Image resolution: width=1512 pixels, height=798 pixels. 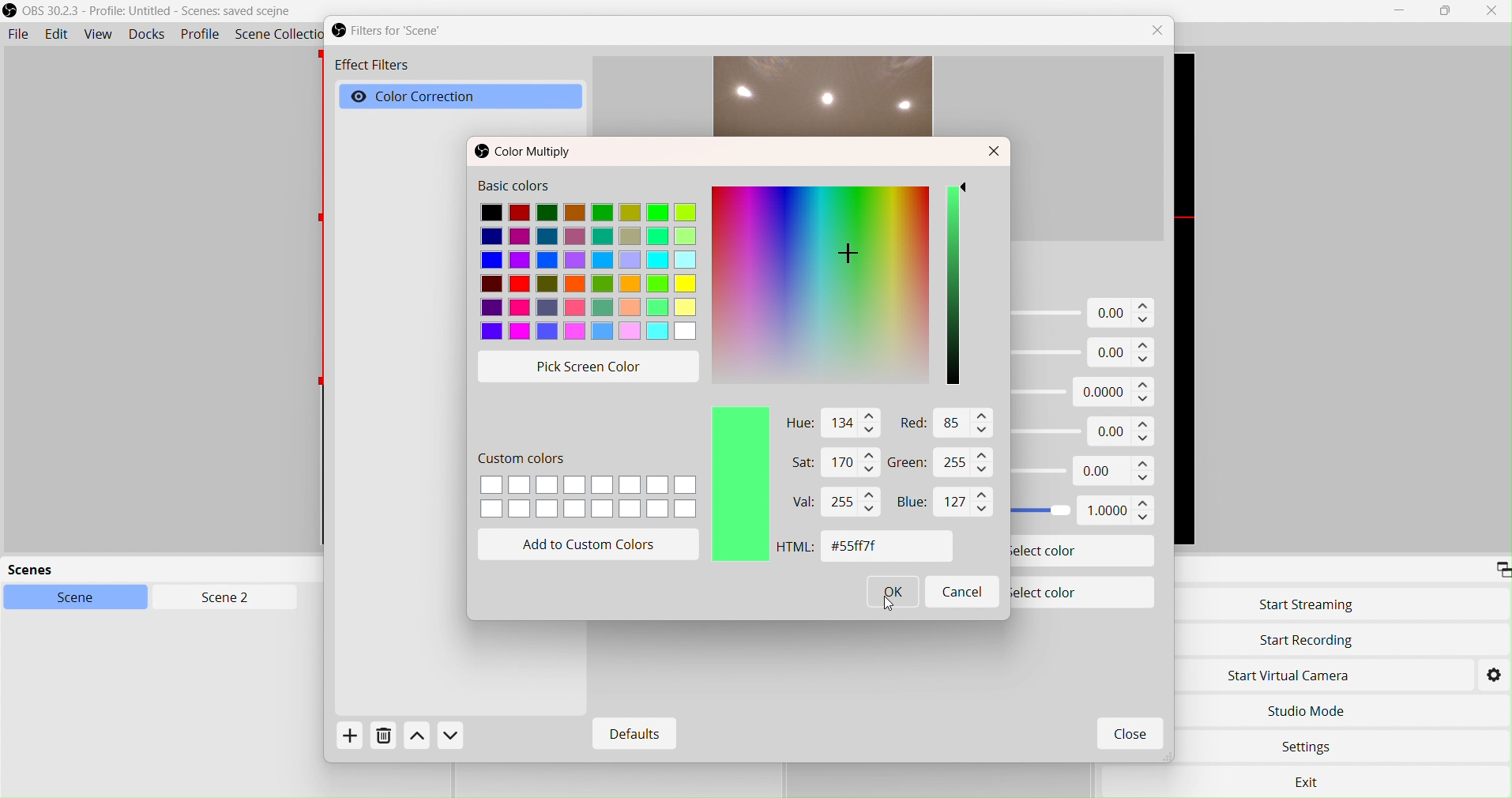 What do you see at coordinates (151, 36) in the screenshot?
I see `Docks` at bounding box center [151, 36].